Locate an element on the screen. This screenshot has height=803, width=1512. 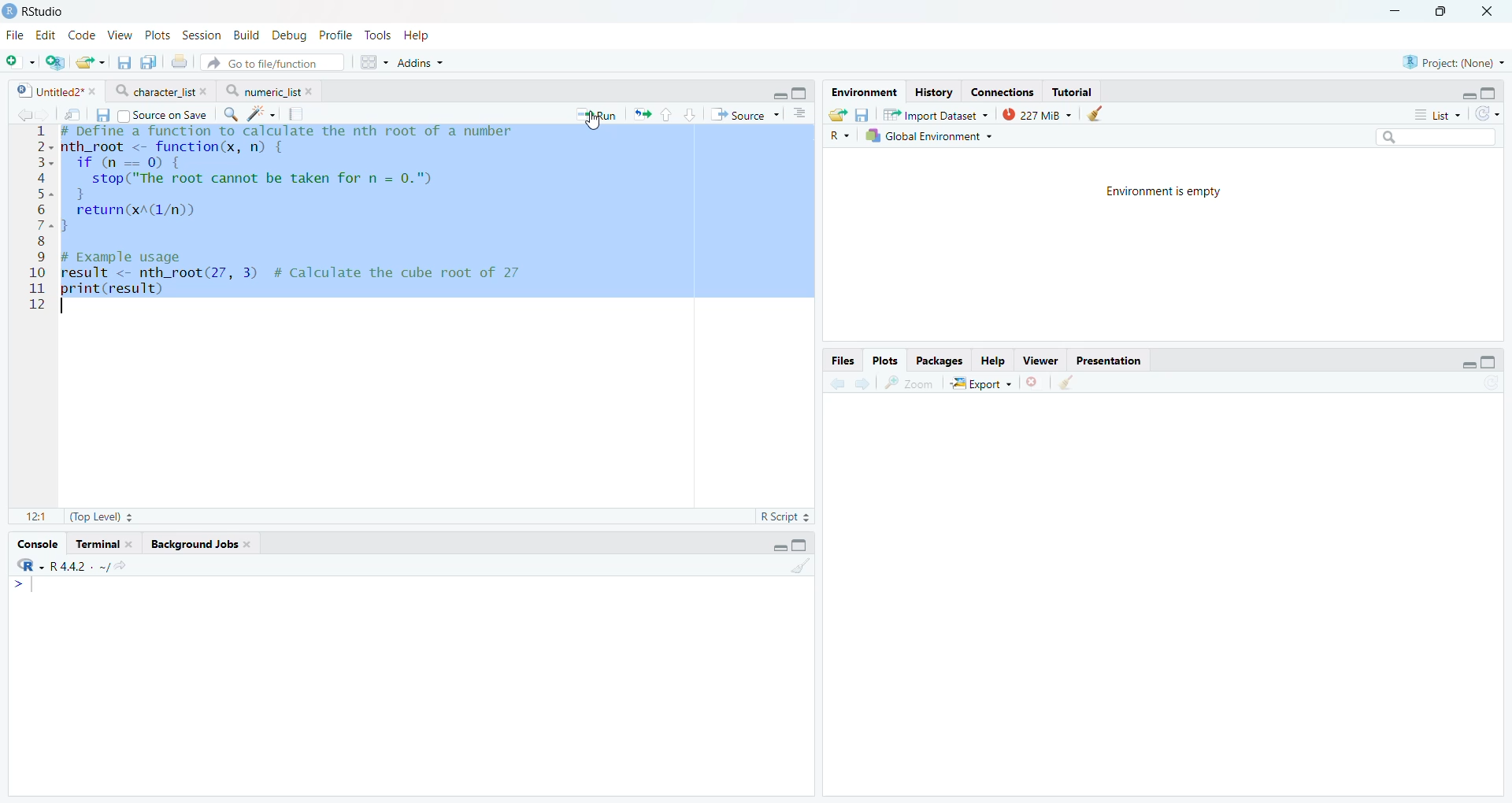
Open in new window is located at coordinates (72, 115).